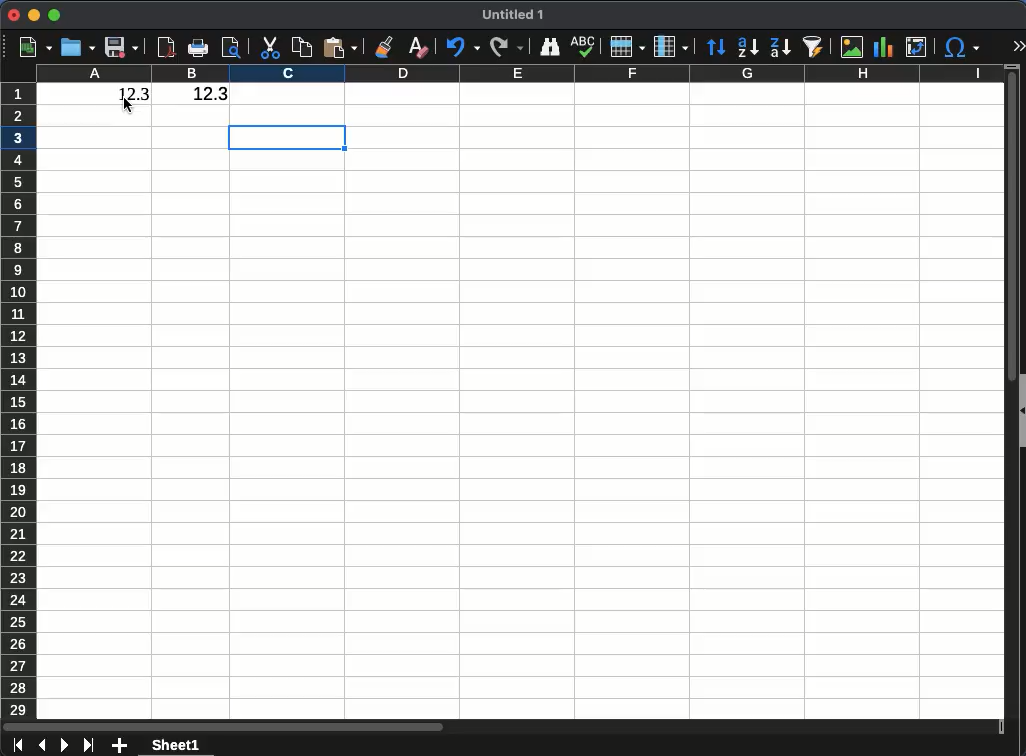  What do you see at coordinates (89, 745) in the screenshot?
I see `last sheet` at bounding box center [89, 745].